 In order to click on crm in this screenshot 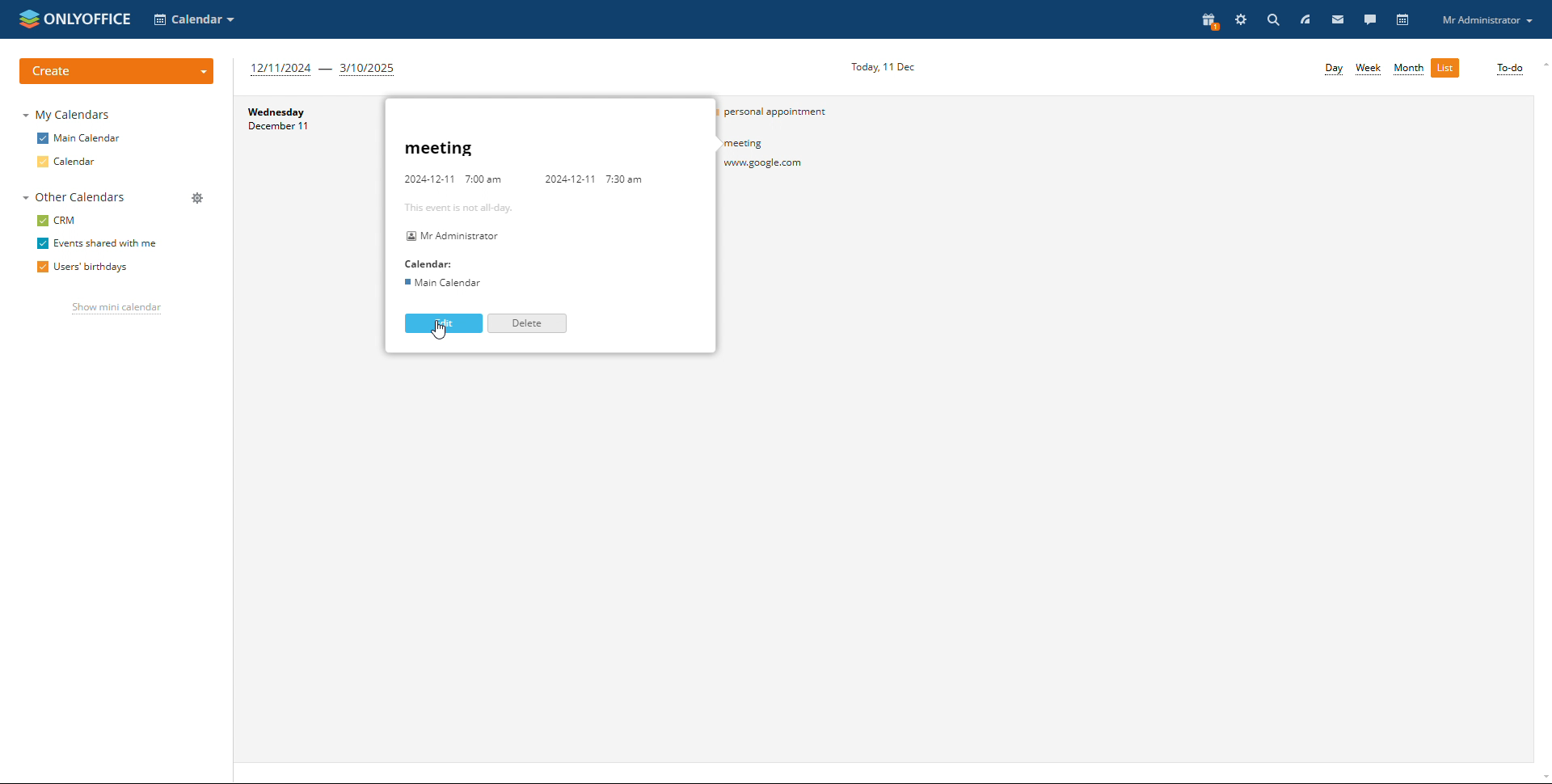, I will do `click(57, 221)`.